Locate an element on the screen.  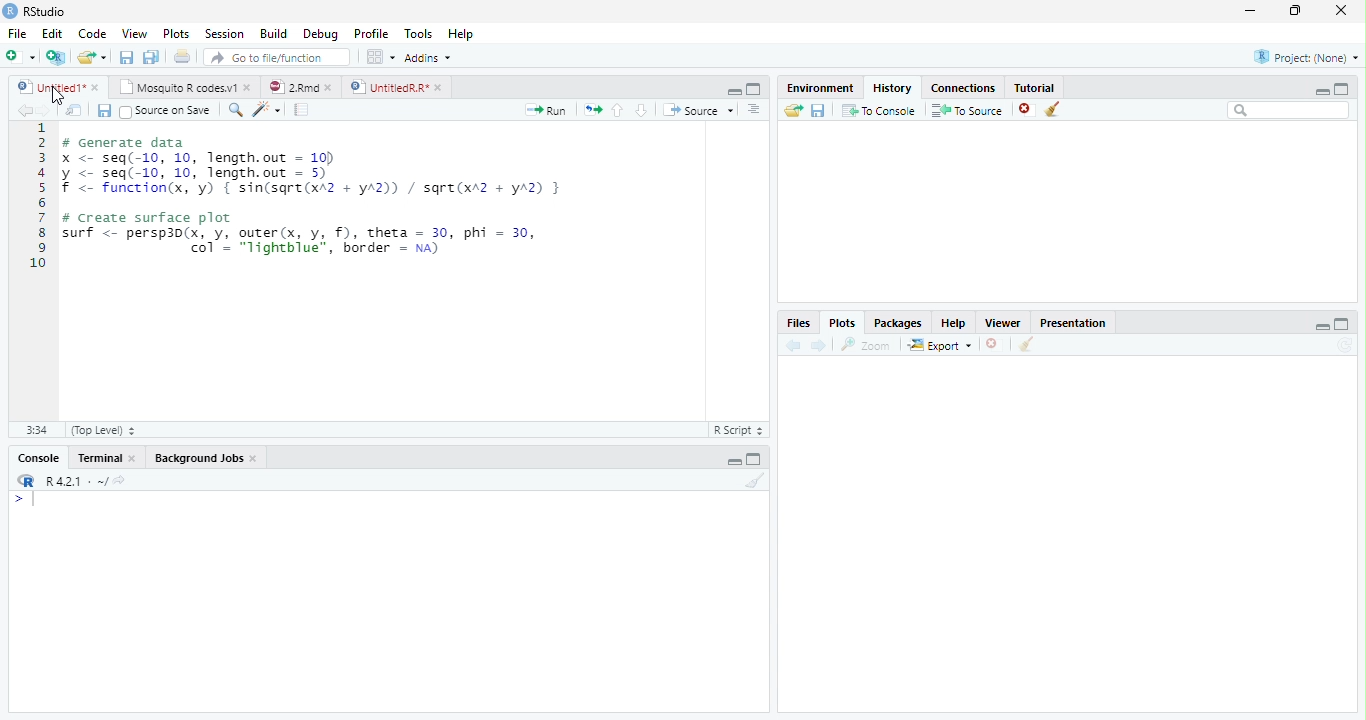
Go to next section/chunk is located at coordinates (641, 109).